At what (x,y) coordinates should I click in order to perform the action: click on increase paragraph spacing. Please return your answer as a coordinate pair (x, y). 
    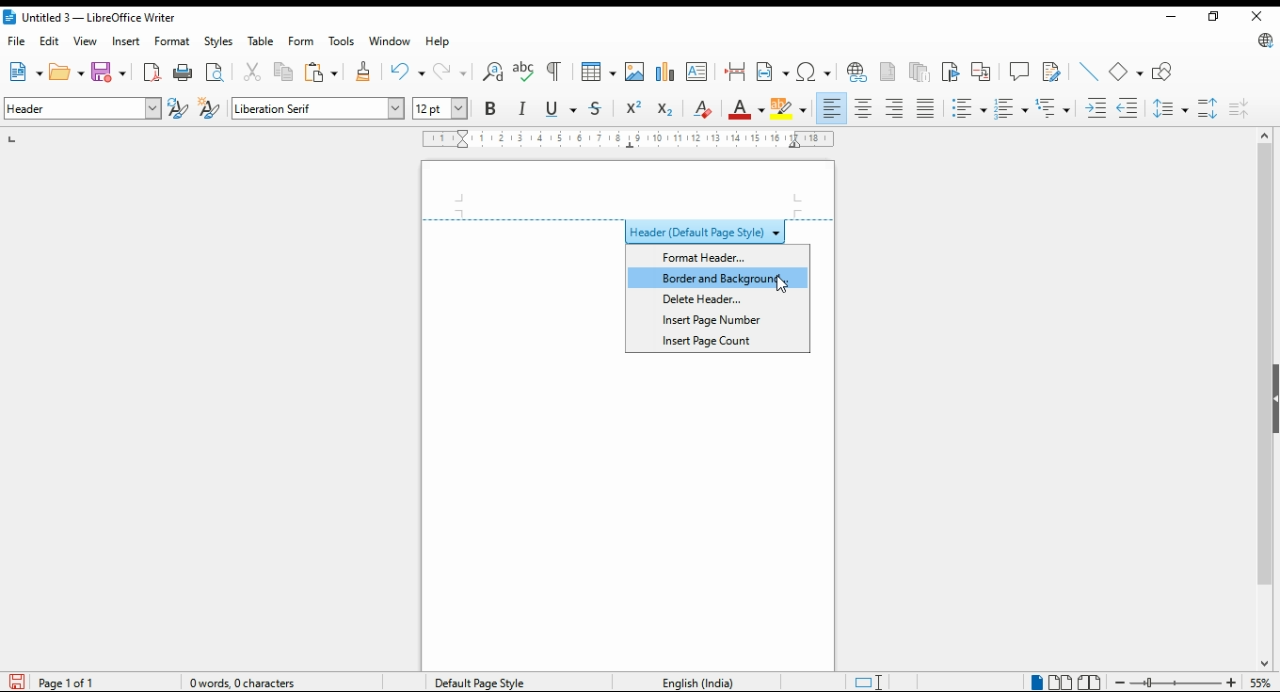
    Looking at the image, I should click on (1208, 108).